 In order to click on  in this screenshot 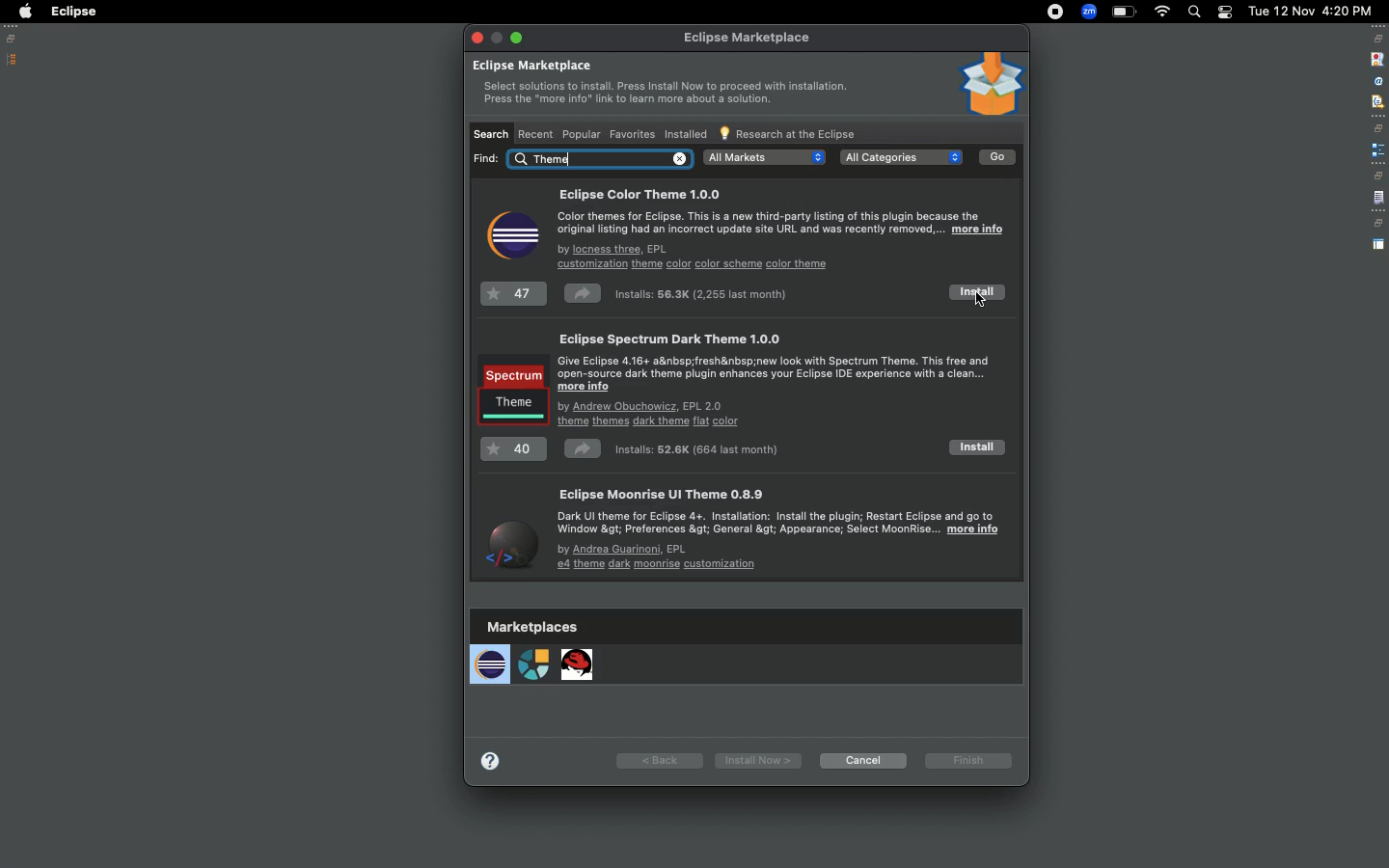, I will do `click(601, 158)`.